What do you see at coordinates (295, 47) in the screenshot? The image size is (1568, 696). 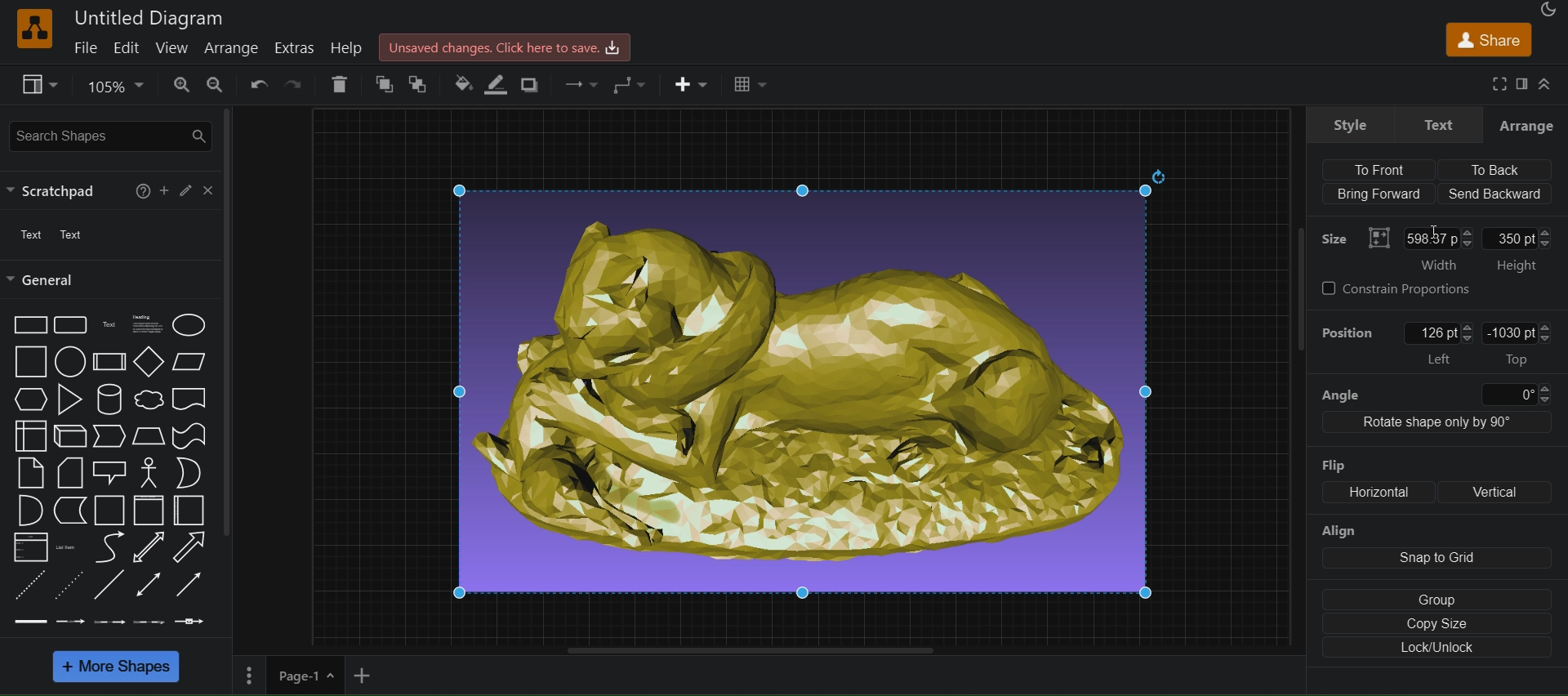 I see `extras` at bounding box center [295, 47].